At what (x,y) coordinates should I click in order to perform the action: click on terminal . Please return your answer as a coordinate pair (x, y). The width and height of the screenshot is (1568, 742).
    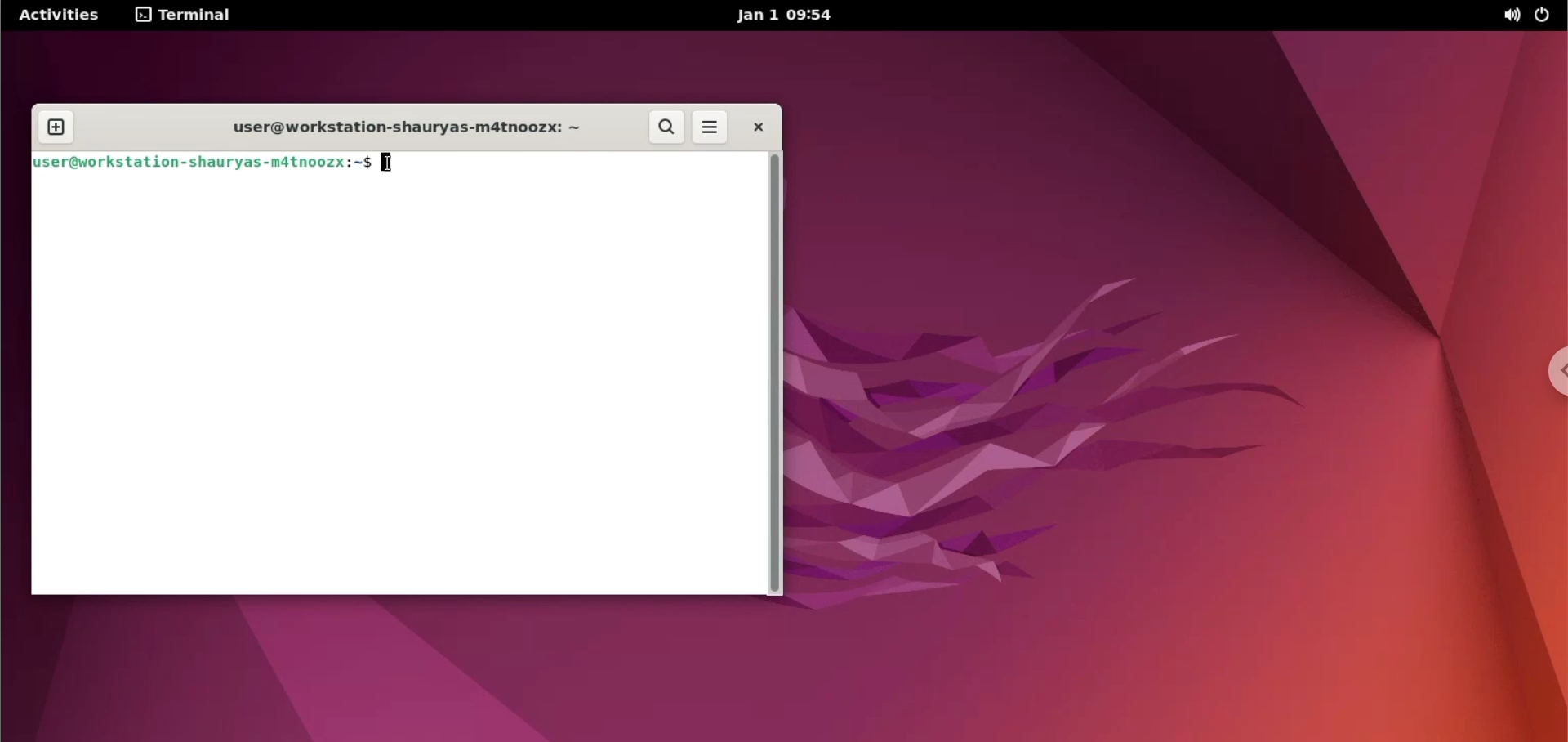
    Looking at the image, I should click on (185, 17).